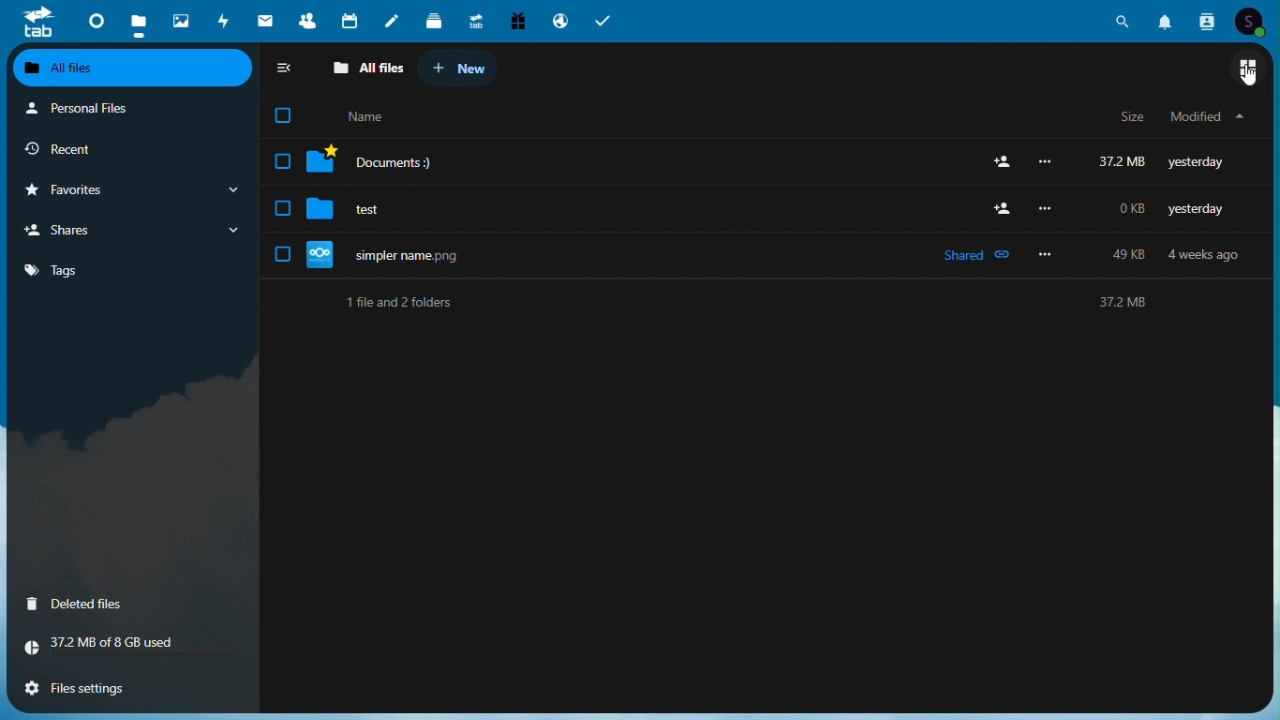 This screenshot has width=1280, height=720. What do you see at coordinates (136, 229) in the screenshot?
I see `Share` at bounding box center [136, 229].